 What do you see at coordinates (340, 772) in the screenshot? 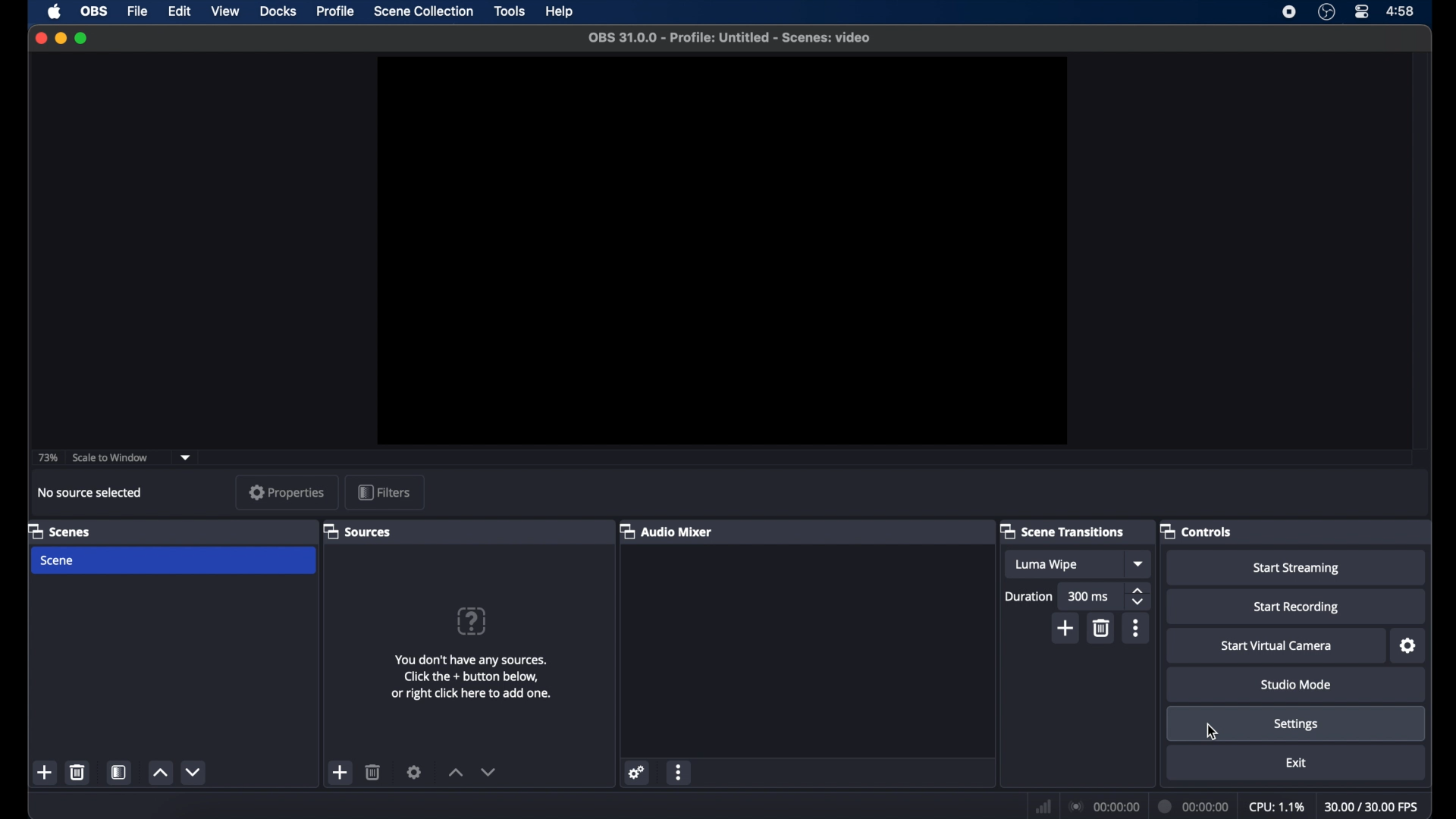
I see `add` at bounding box center [340, 772].